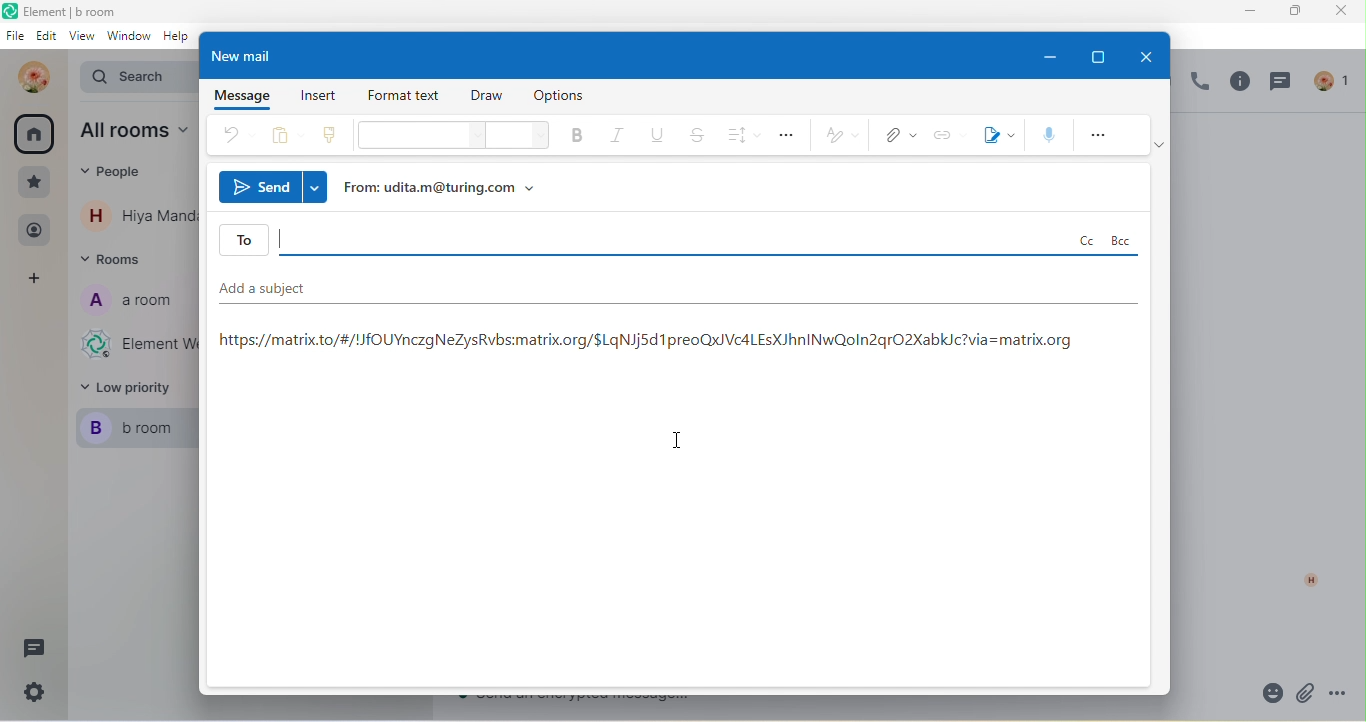 The width and height of the screenshot is (1366, 722). I want to click on setting, so click(31, 697).